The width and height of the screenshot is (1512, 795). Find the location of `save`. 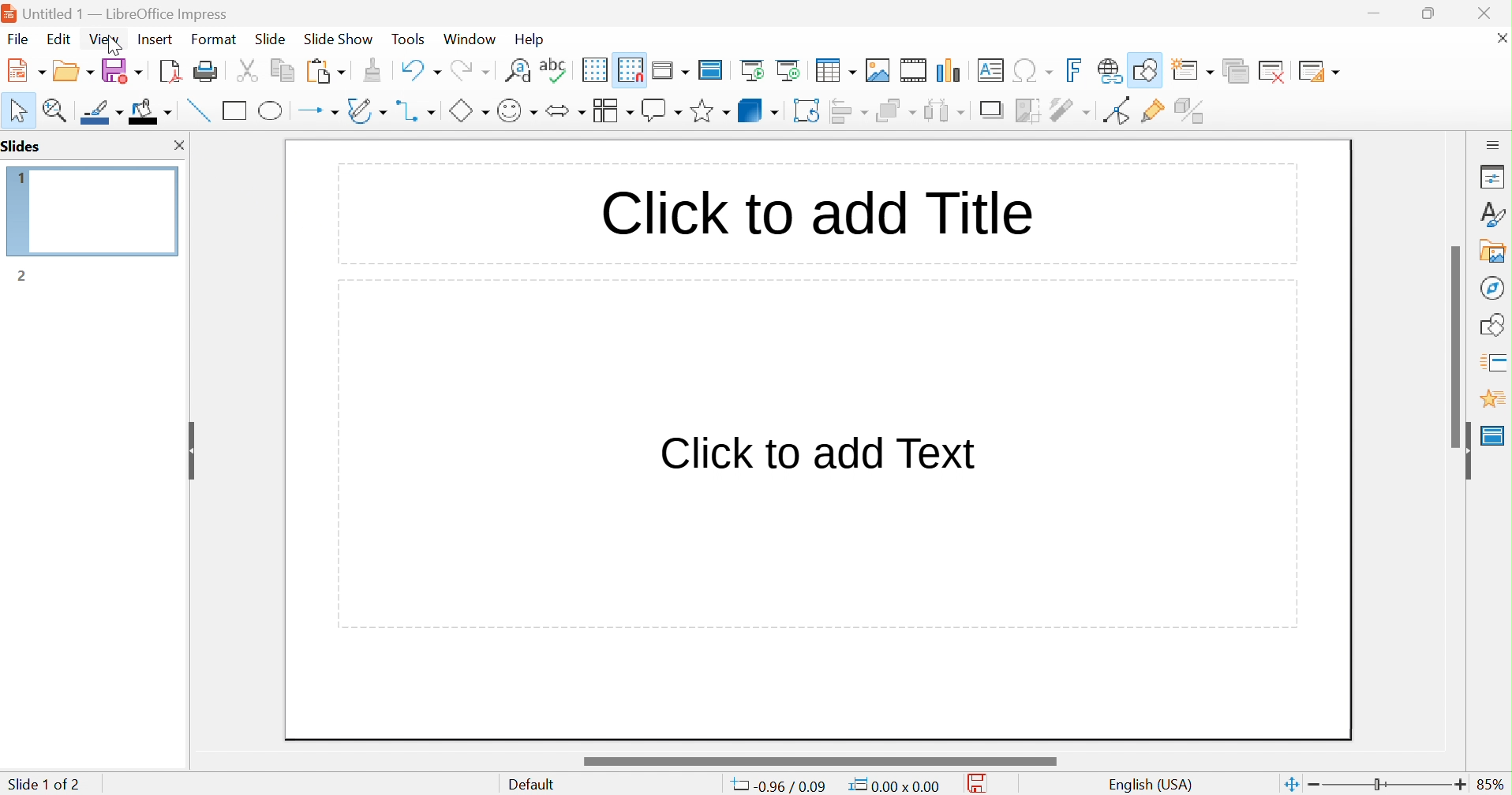

save is located at coordinates (122, 70).